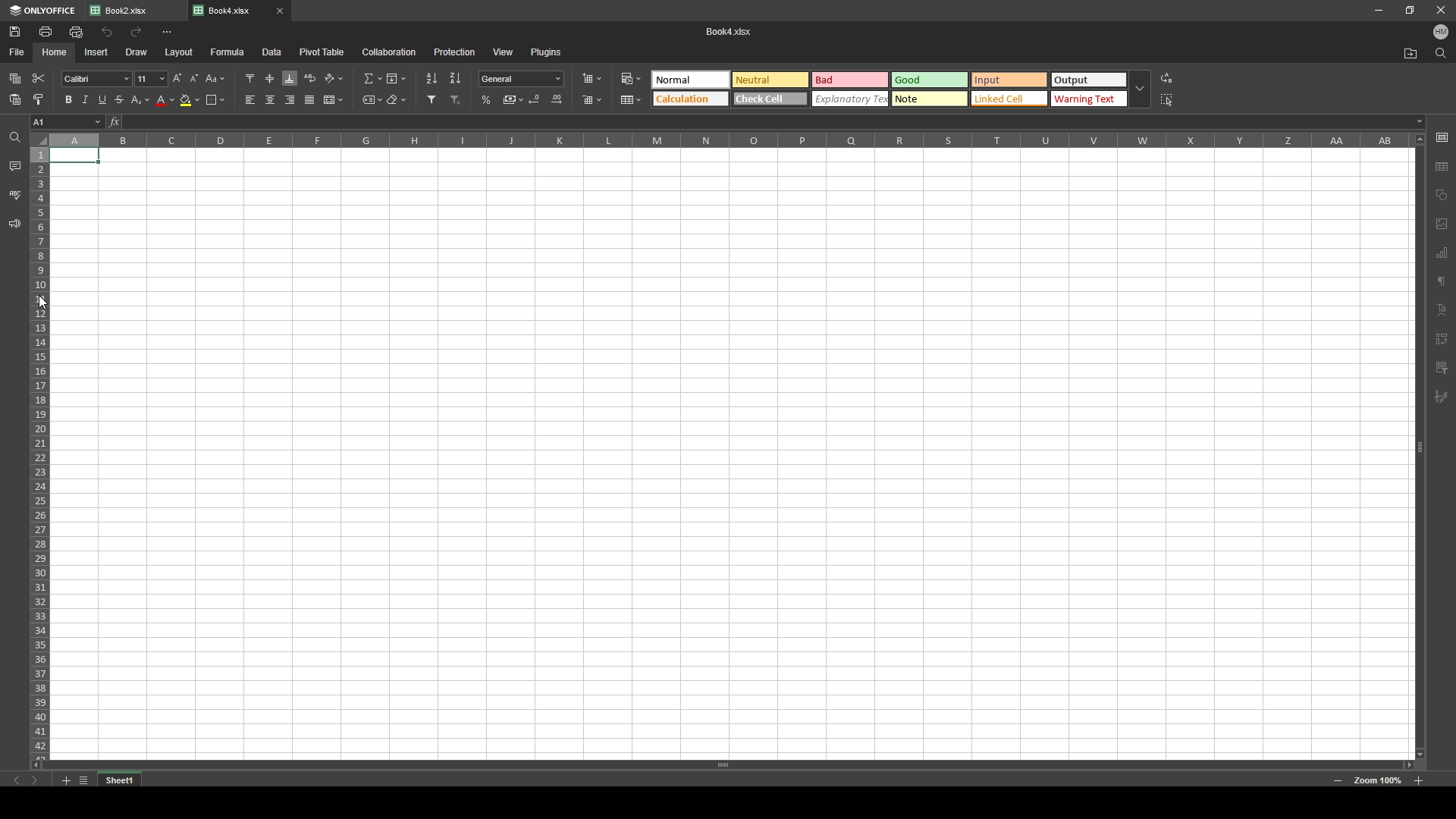  What do you see at coordinates (39, 443) in the screenshot?
I see `rows` at bounding box center [39, 443].